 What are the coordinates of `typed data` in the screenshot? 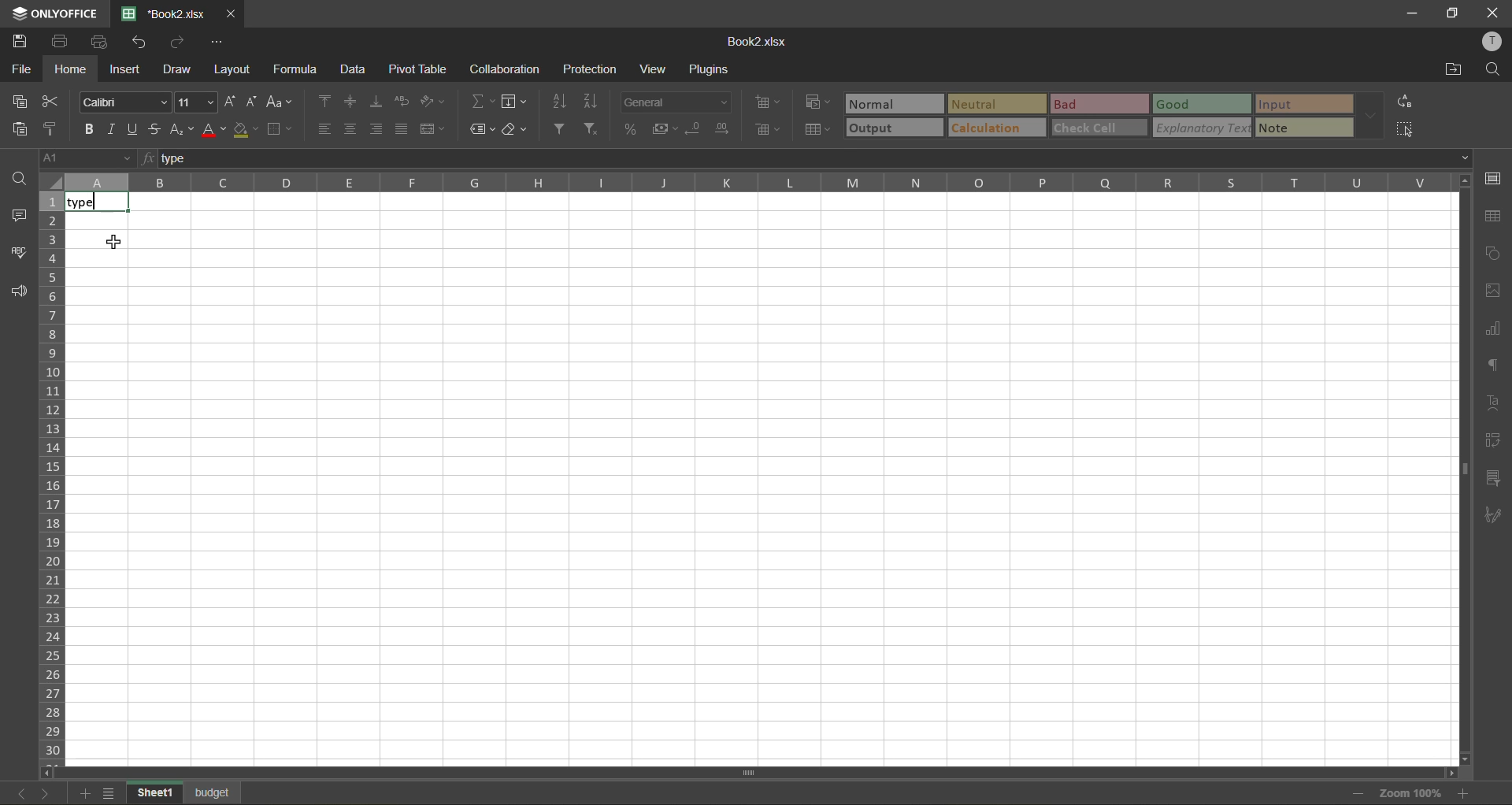 It's located at (98, 202).